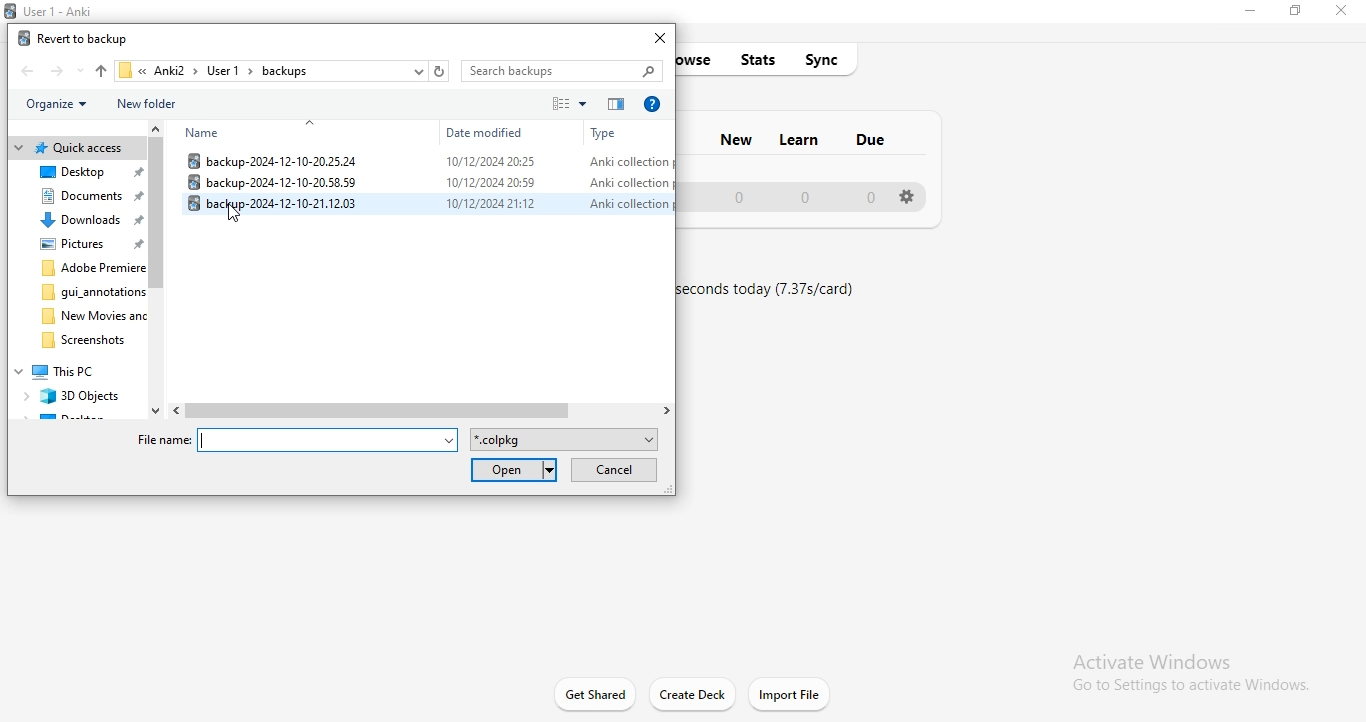 The height and width of the screenshot is (722, 1366). I want to click on revert to backup, so click(75, 37).